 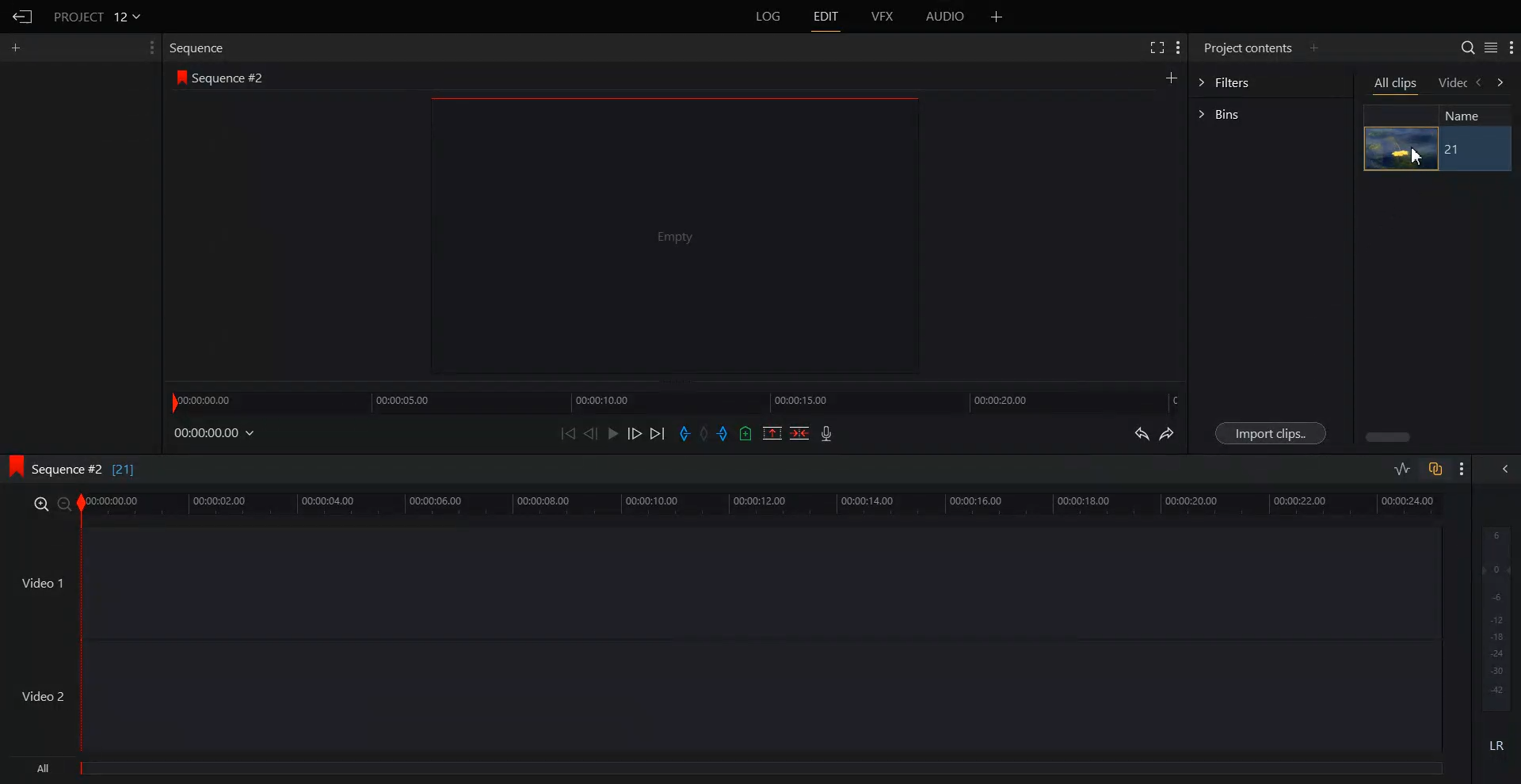 I want to click on Zoom in, so click(x=40, y=503).